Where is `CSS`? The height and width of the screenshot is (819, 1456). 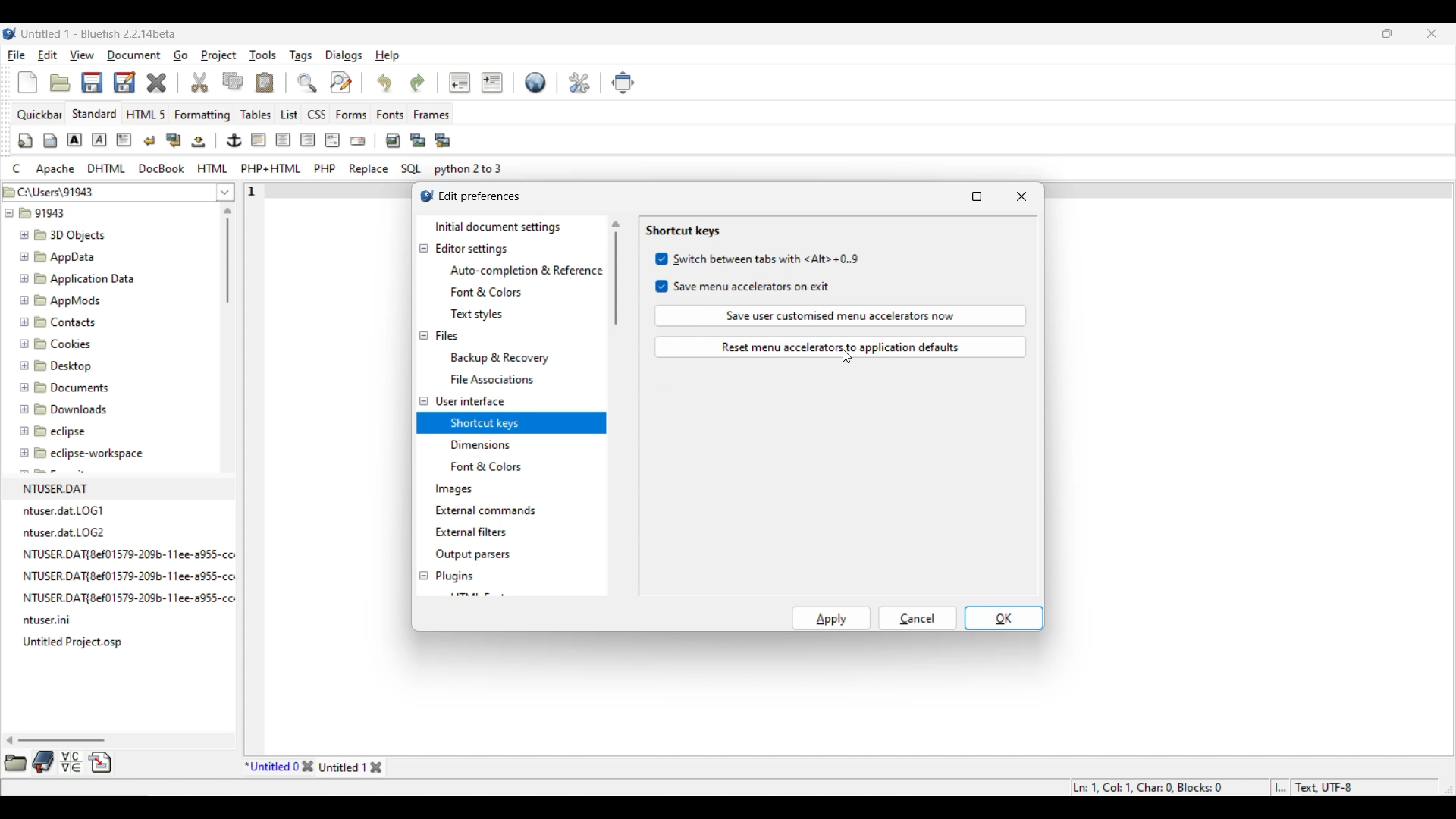
CSS is located at coordinates (318, 114).